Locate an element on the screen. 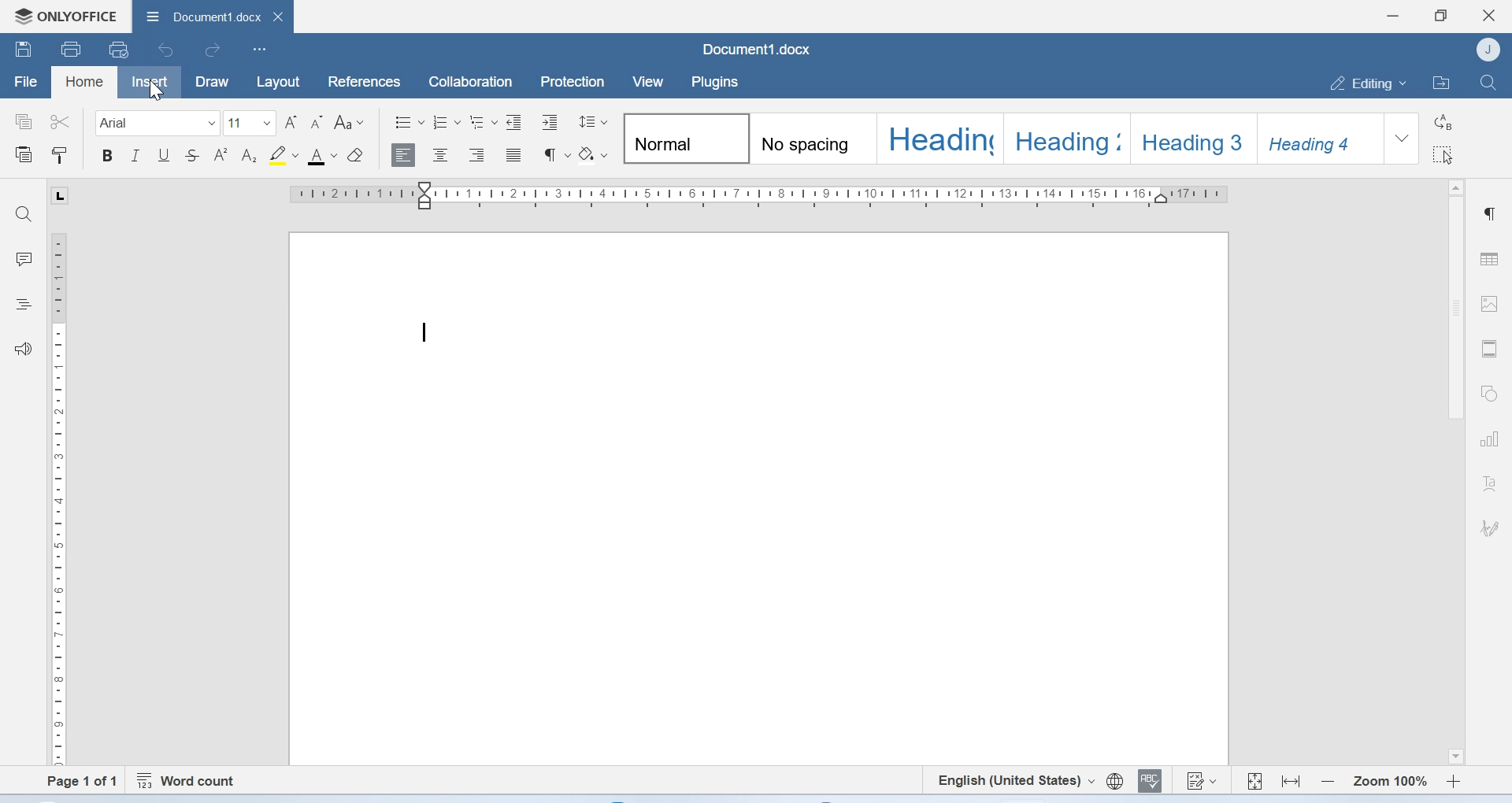 Image resolution: width=1512 pixels, height=803 pixels. Bullets is located at coordinates (409, 121).